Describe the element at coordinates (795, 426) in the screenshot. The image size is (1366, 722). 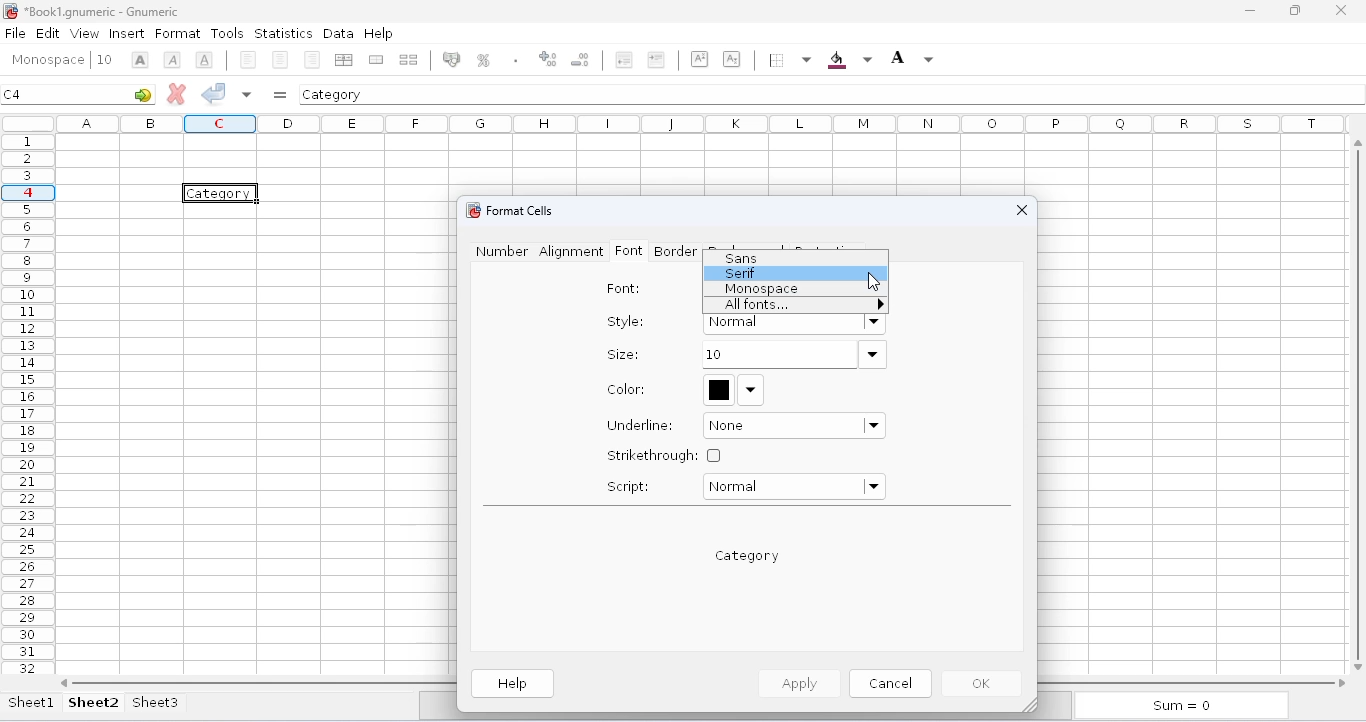
I see `none` at that location.